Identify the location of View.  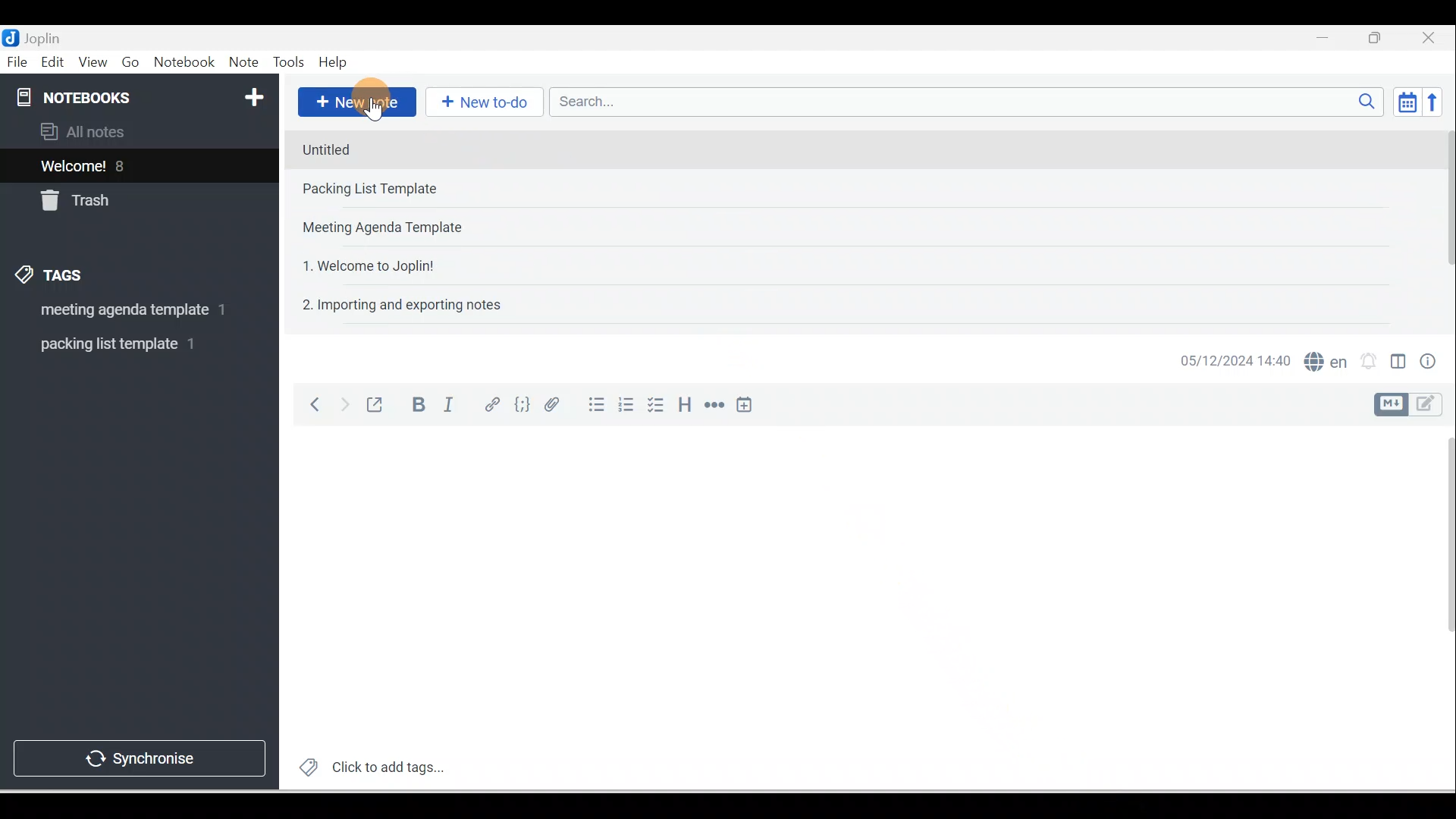
(93, 63).